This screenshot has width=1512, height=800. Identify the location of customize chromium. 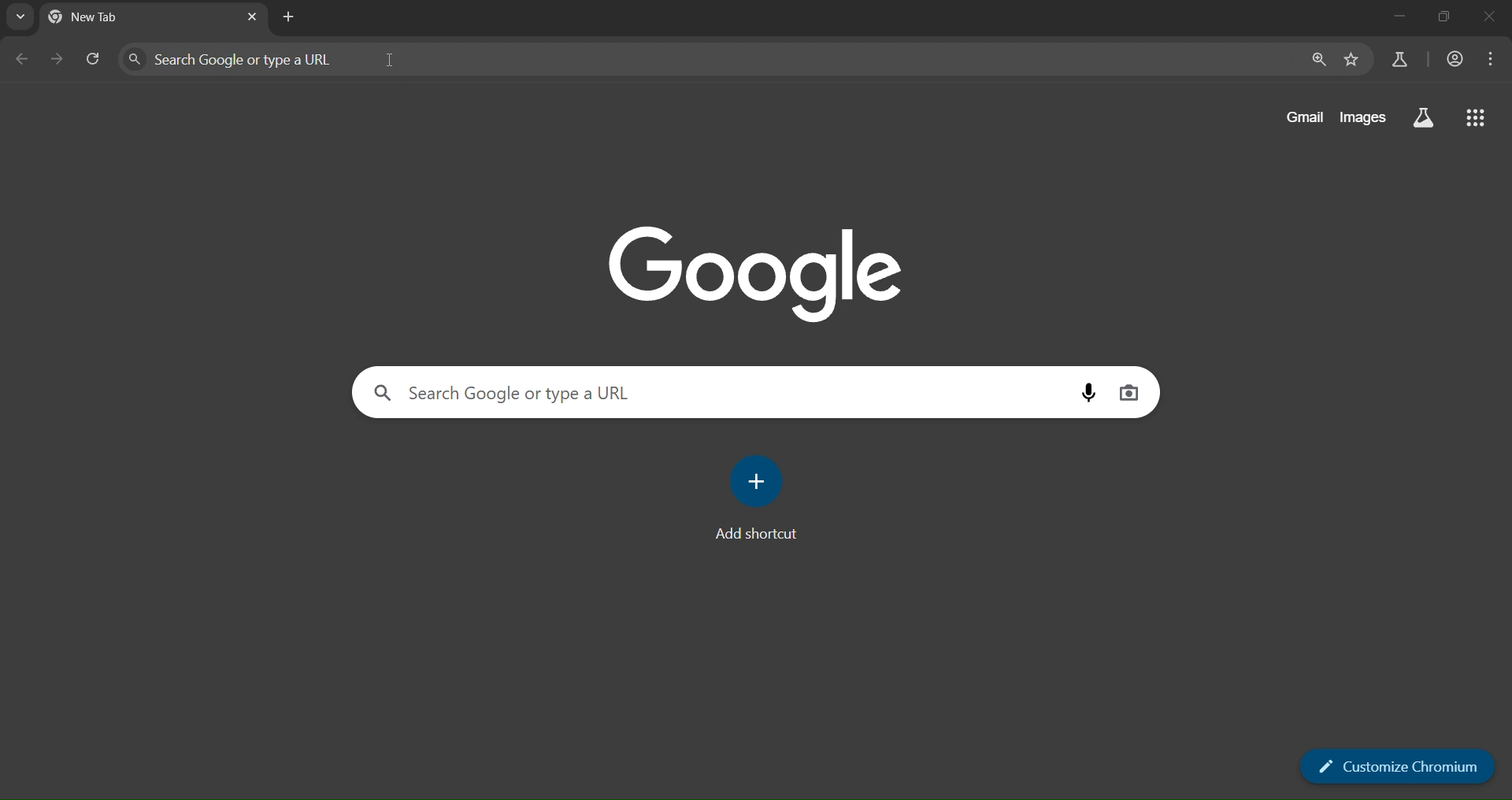
(1399, 765).